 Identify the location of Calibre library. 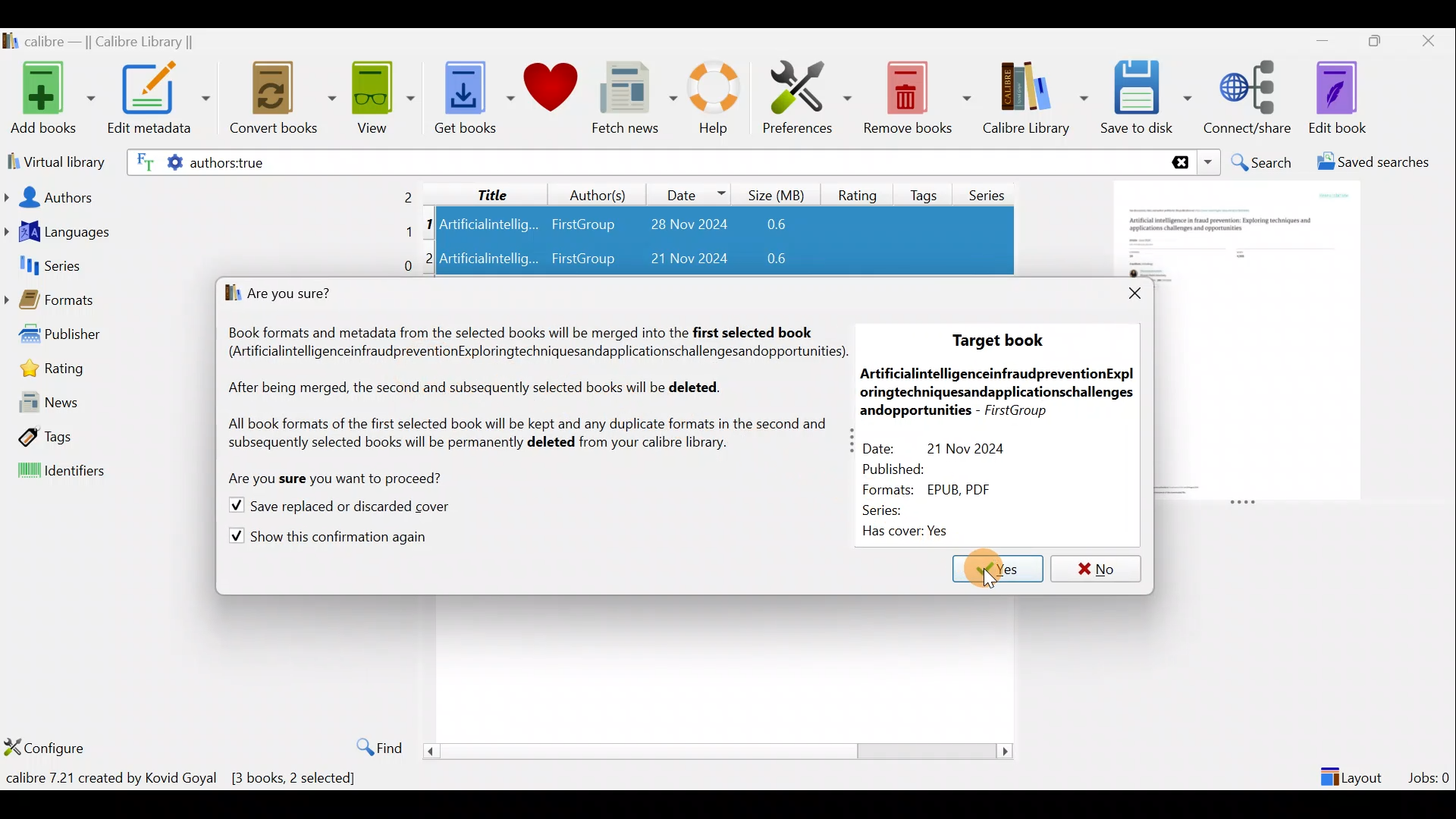
(1034, 95).